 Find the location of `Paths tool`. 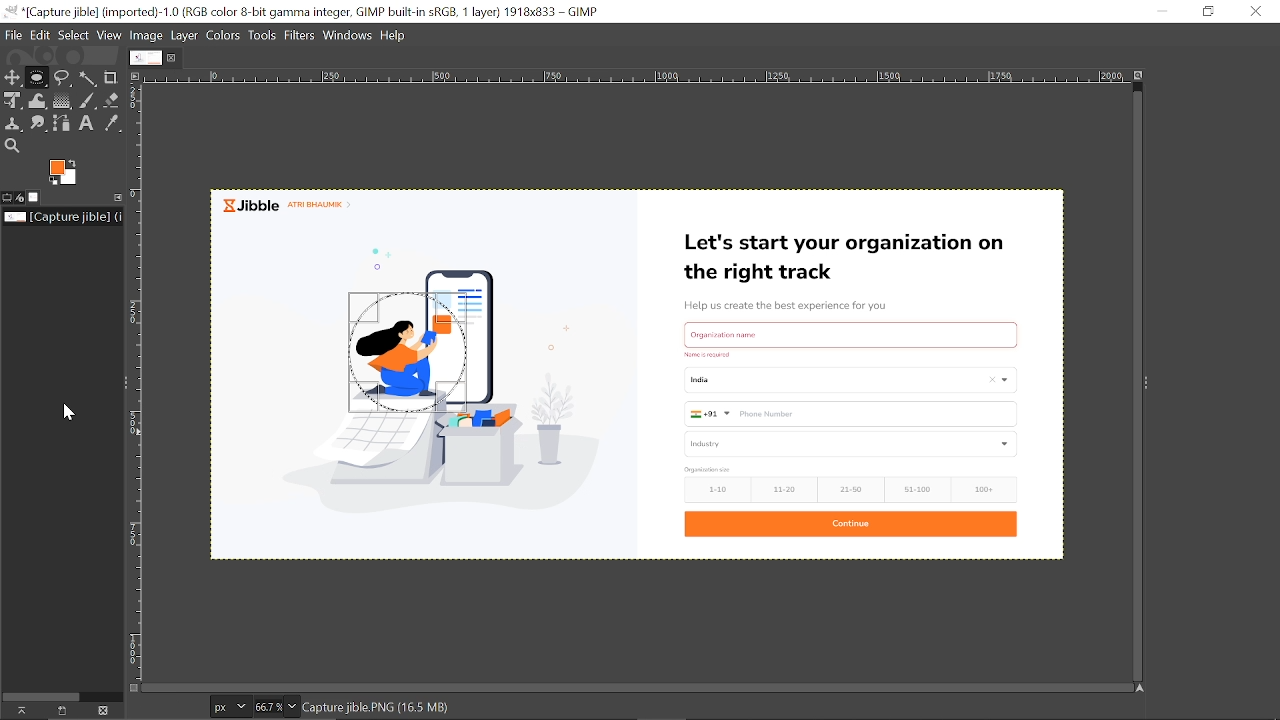

Paths tool is located at coordinates (64, 122).